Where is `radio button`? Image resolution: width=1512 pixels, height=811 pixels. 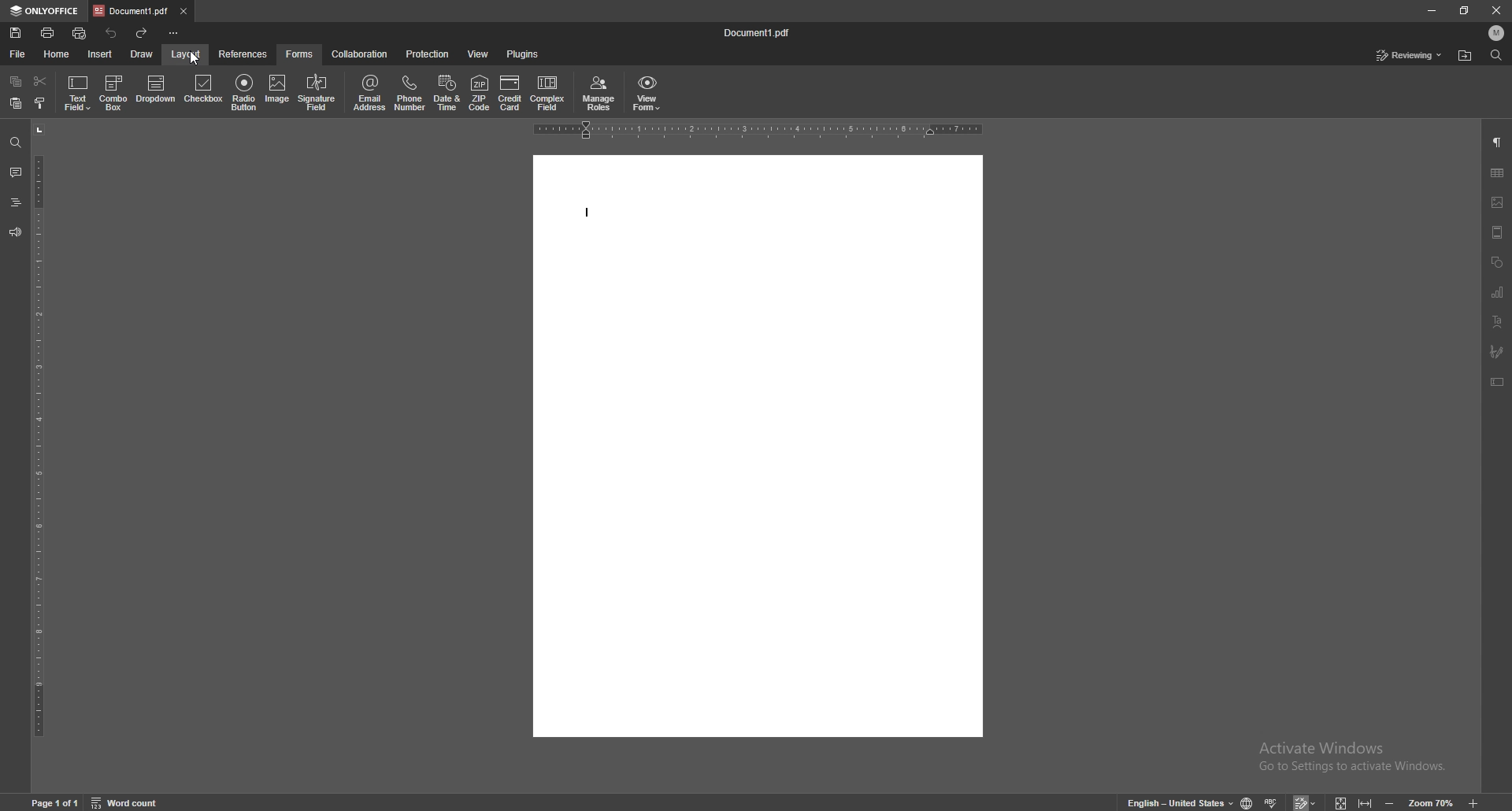
radio button is located at coordinates (246, 92).